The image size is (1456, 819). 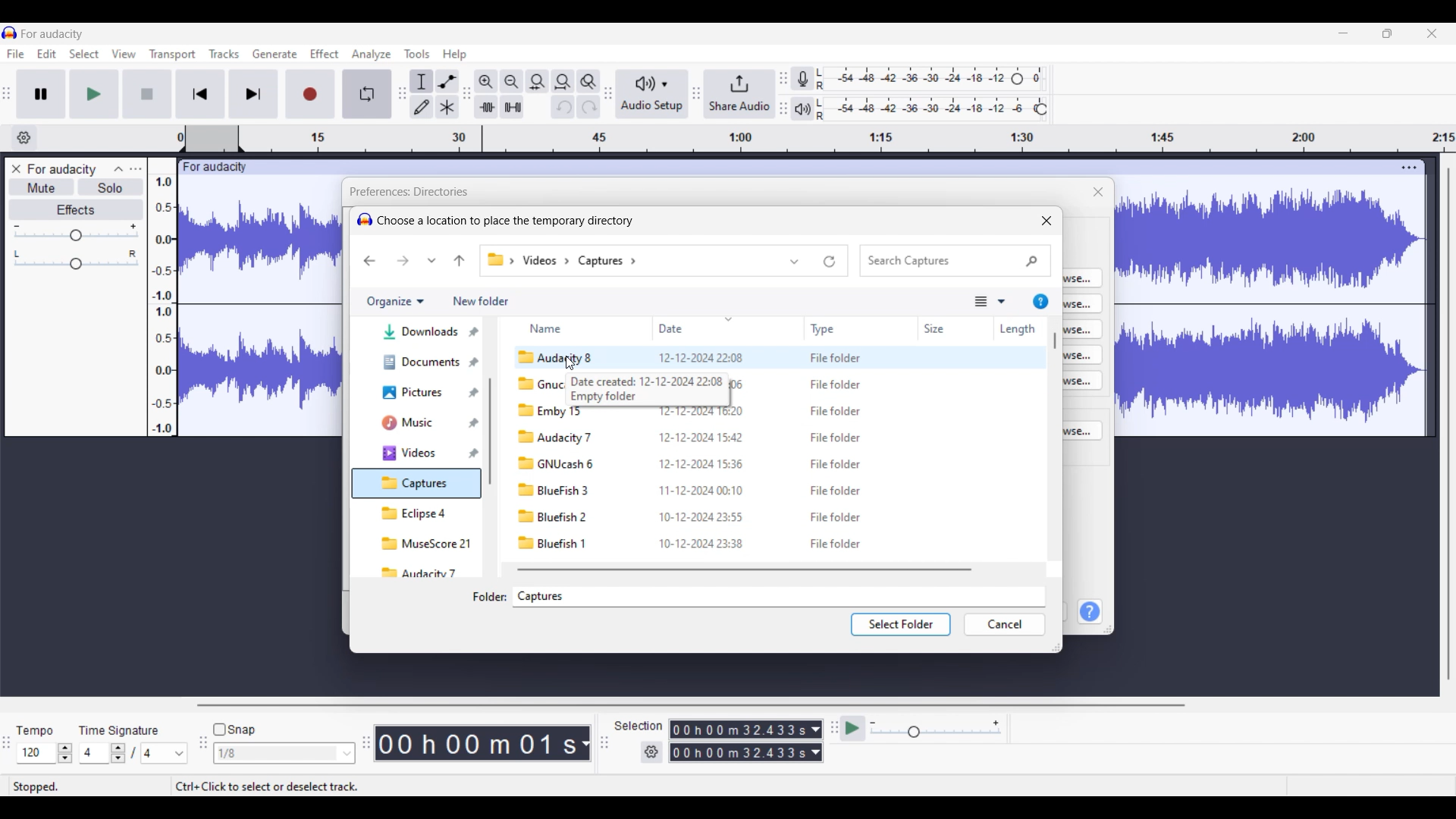 I want to click on Effects, so click(x=77, y=209).